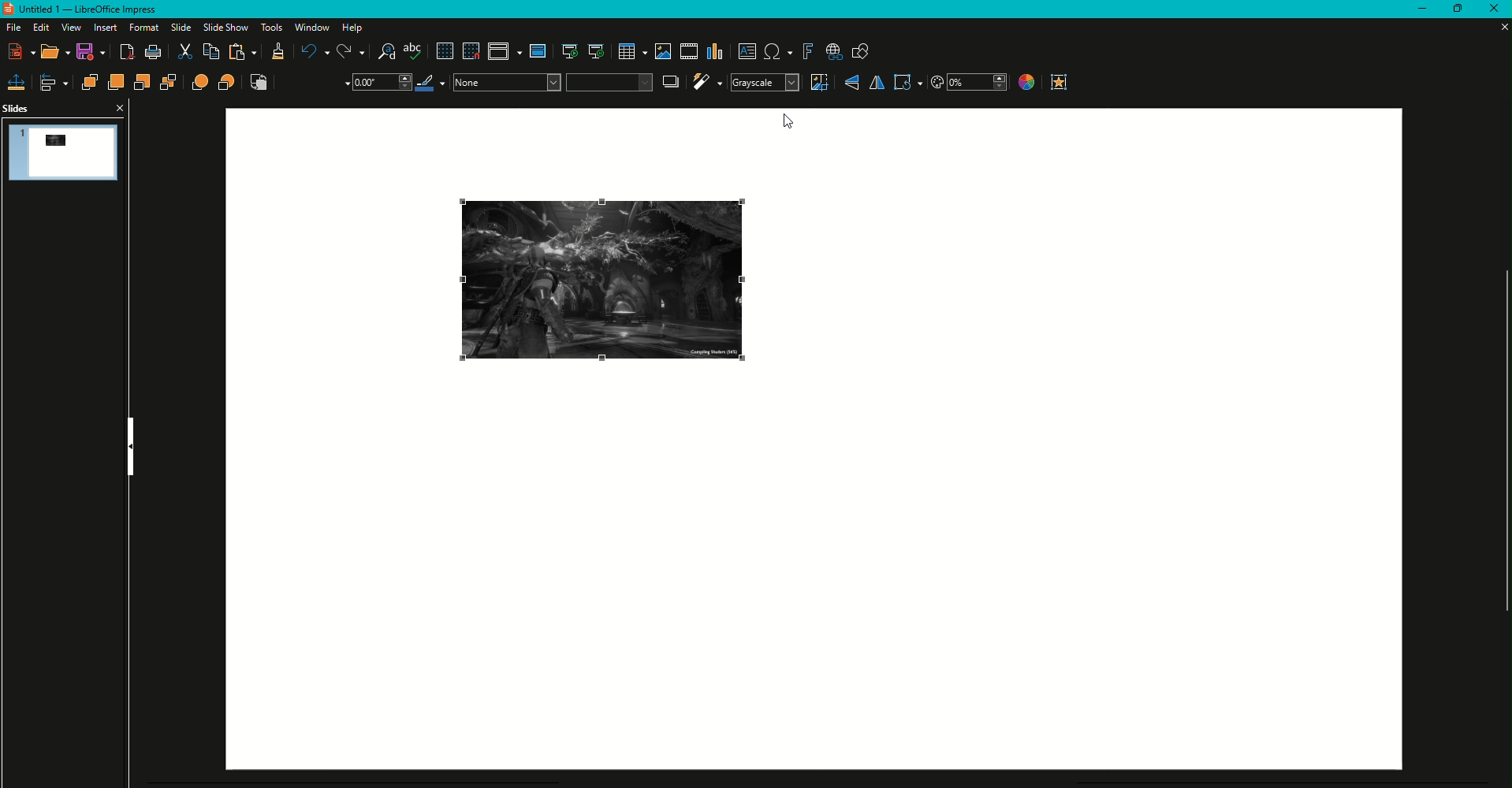 Image resolution: width=1512 pixels, height=788 pixels. Describe the element at coordinates (1454, 9) in the screenshot. I see `Restore` at that location.